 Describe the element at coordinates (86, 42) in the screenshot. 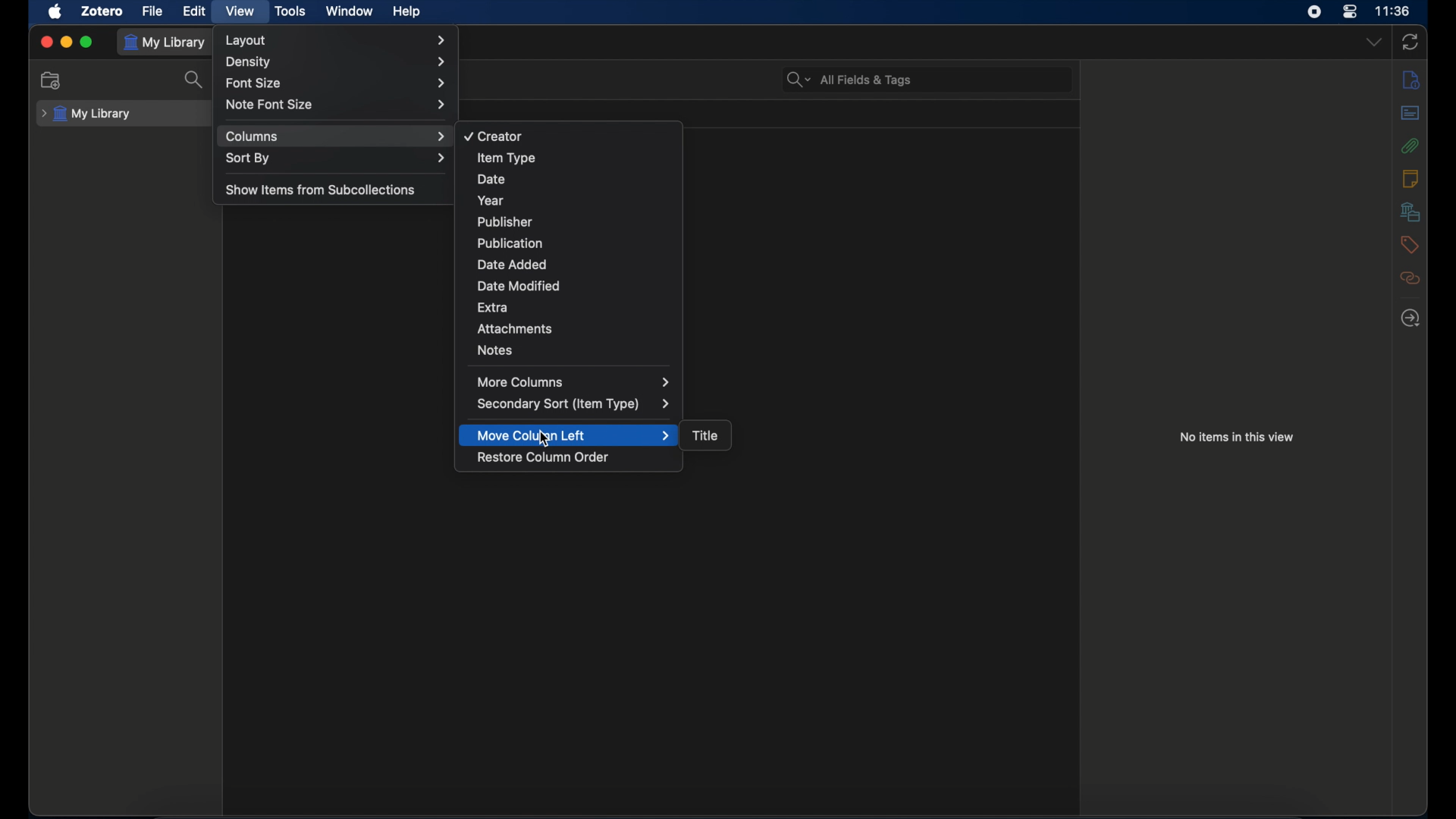

I see `maximize` at that location.